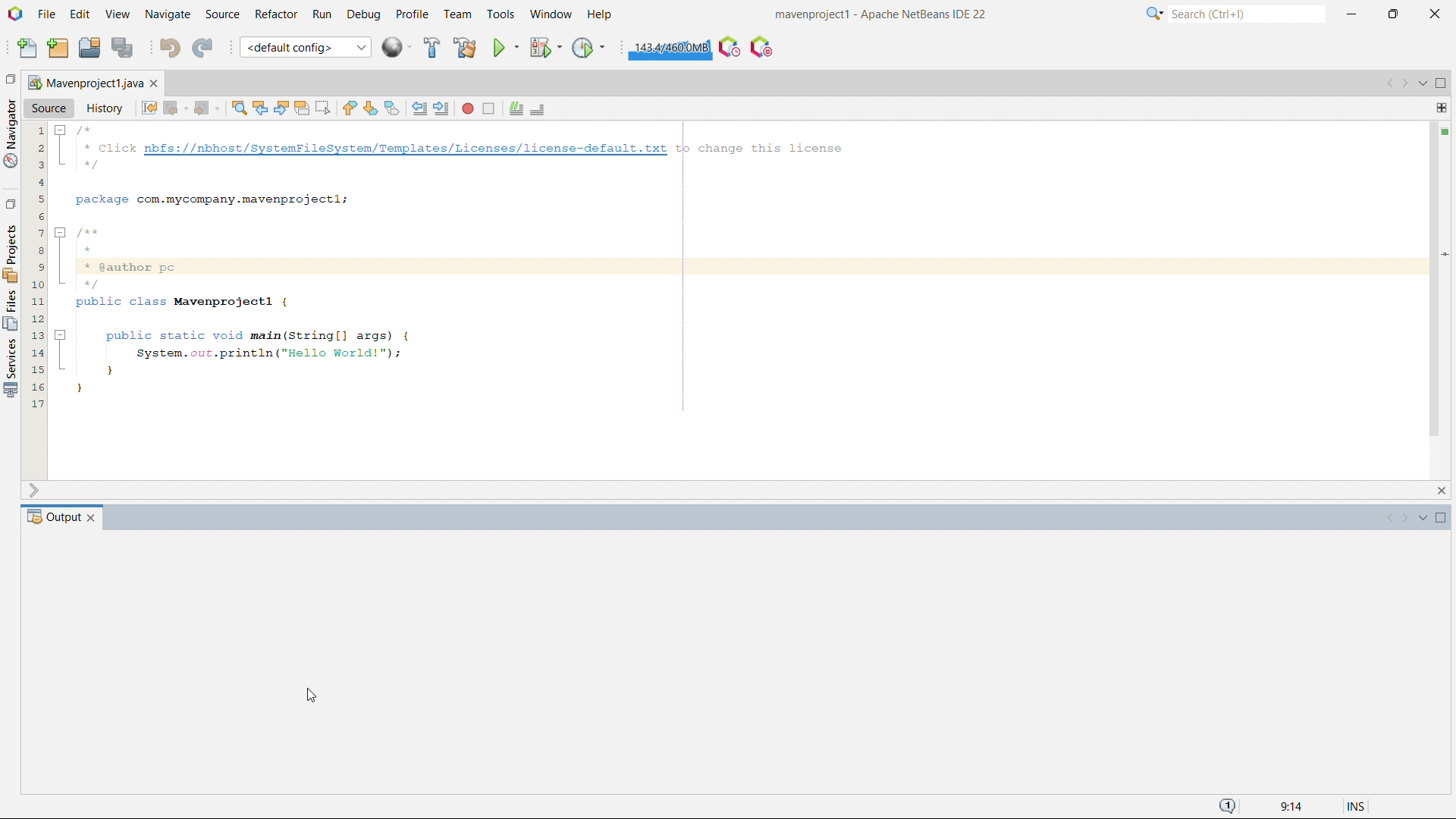 The image size is (1456, 819). What do you see at coordinates (488, 110) in the screenshot?
I see `stop macro recording ` at bounding box center [488, 110].